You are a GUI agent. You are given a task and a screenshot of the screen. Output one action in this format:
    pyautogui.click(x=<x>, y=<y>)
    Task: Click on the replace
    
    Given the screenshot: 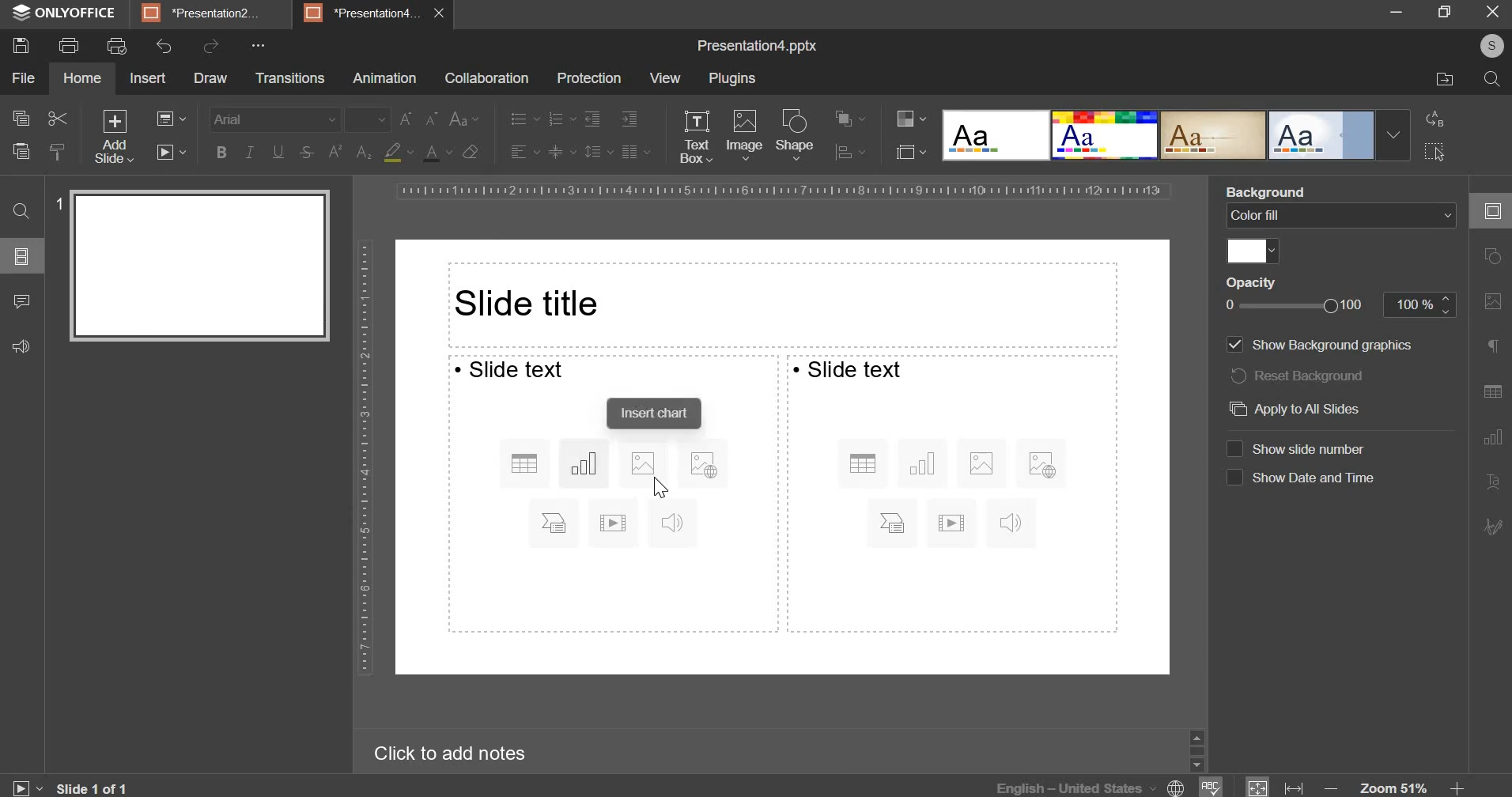 What is the action you would take?
    pyautogui.click(x=1435, y=119)
    